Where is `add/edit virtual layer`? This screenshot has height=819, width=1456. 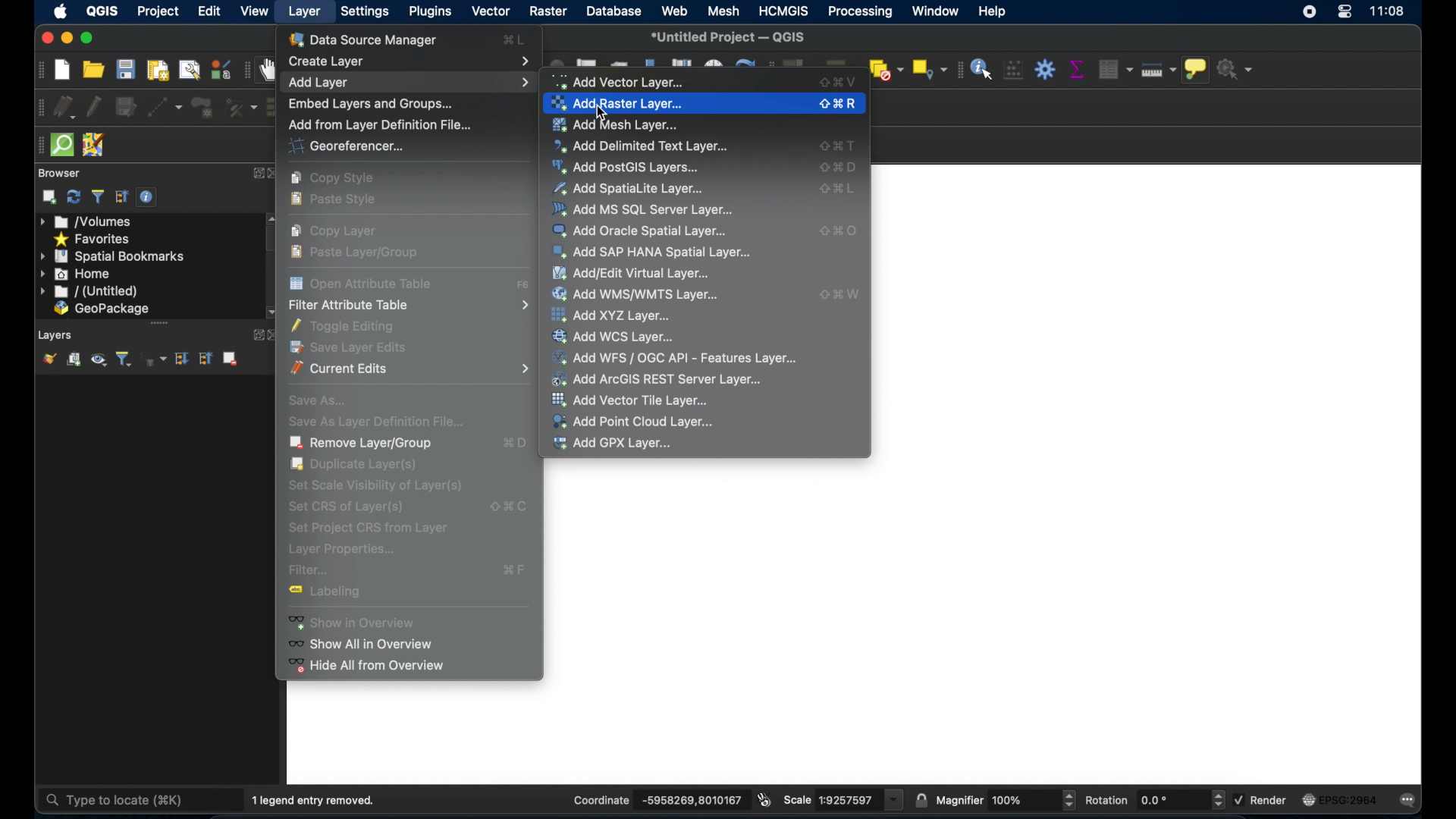 add/edit virtual layer is located at coordinates (630, 272).